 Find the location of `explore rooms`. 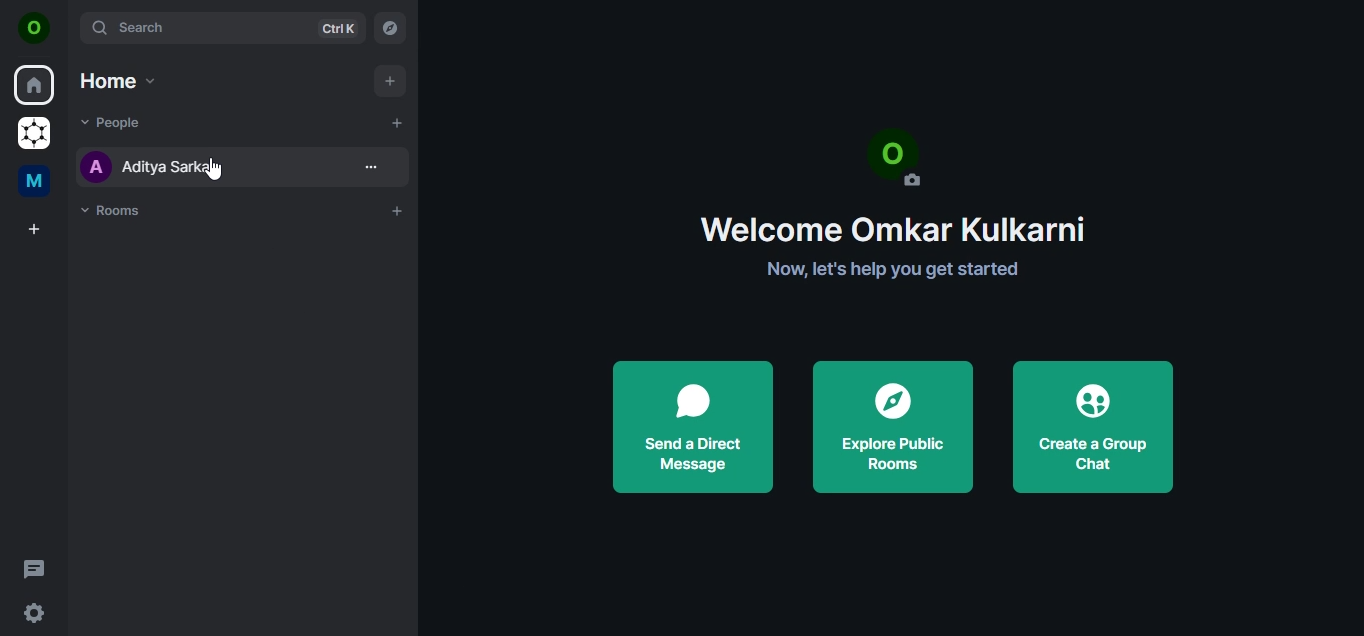

explore rooms is located at coordinates (391, 29).